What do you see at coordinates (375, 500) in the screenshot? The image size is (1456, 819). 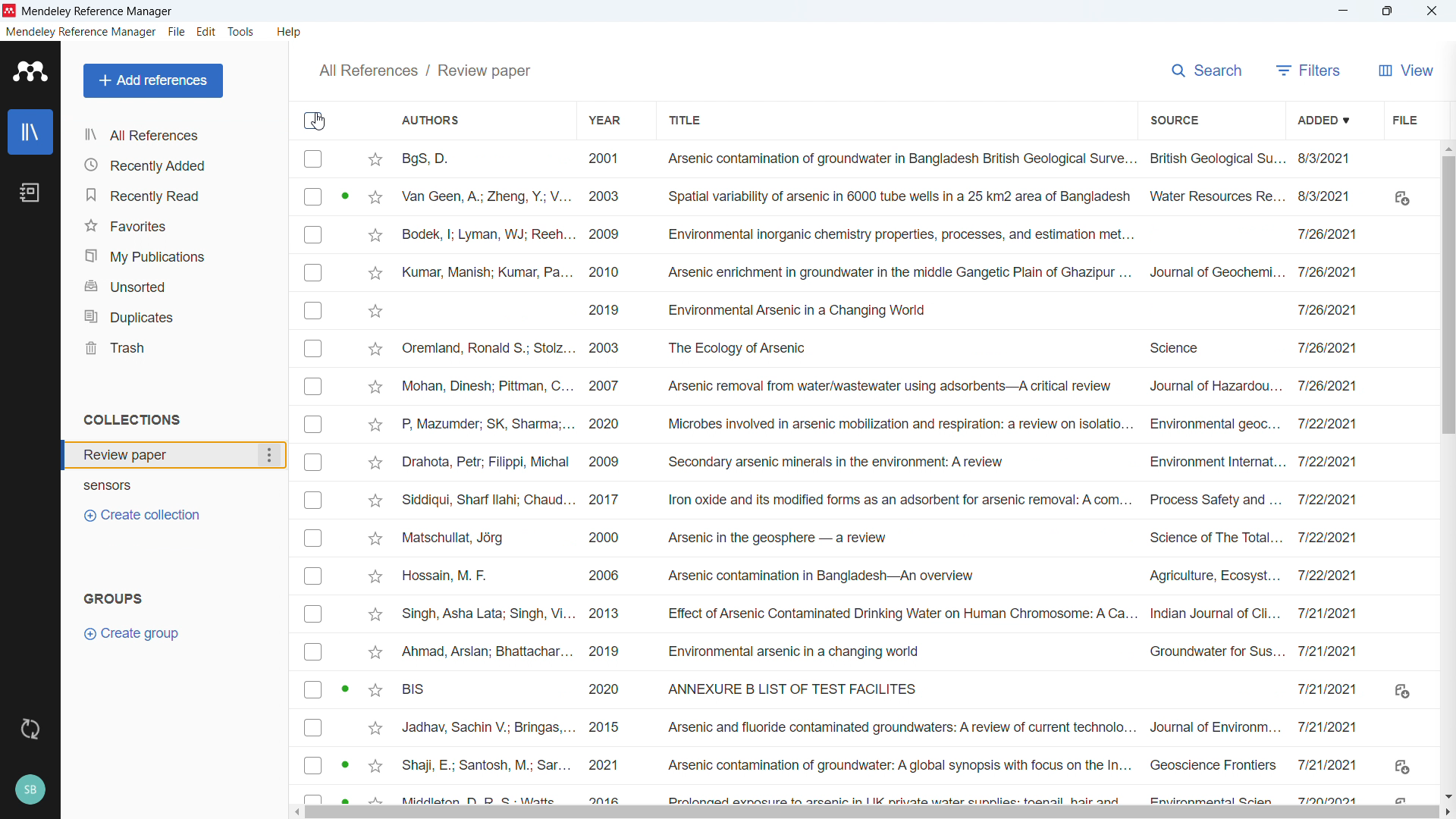 I see `Star mark respective publication` at bounding box center [375, 500].